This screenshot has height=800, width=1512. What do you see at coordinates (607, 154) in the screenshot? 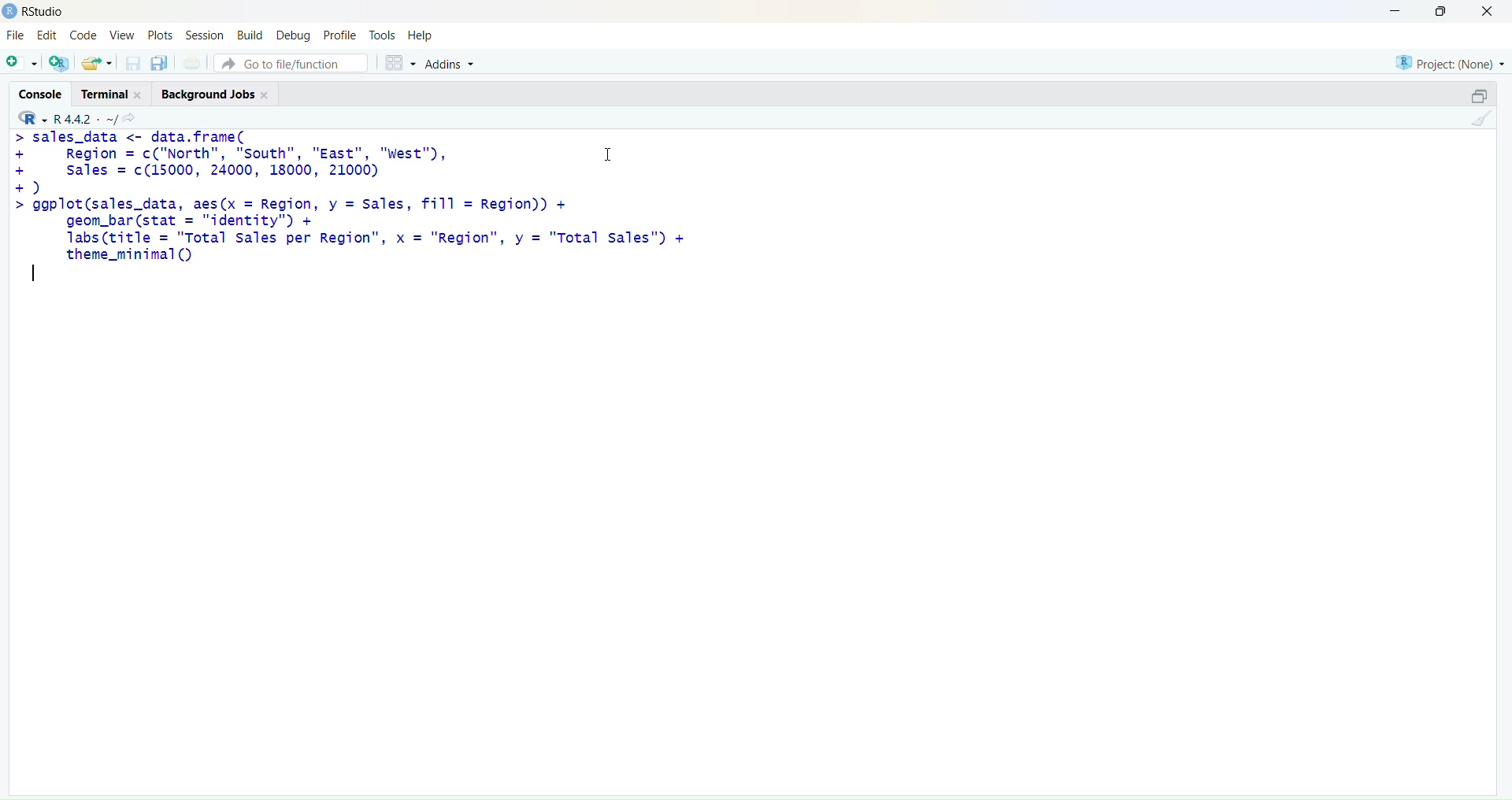
I see `cursor` at bounding box center [607, 154].